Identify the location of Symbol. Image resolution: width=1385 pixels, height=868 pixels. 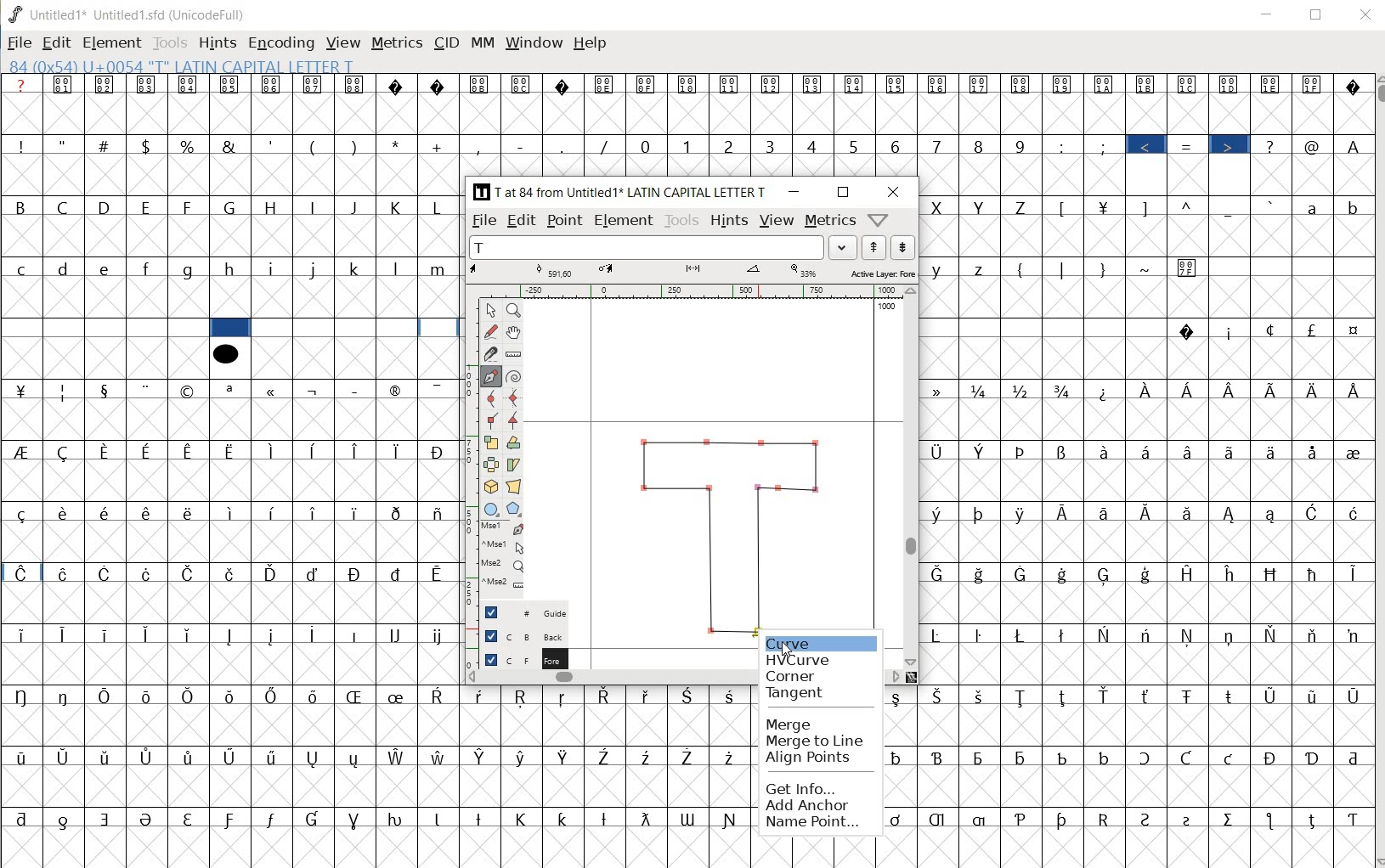
(149, 390).